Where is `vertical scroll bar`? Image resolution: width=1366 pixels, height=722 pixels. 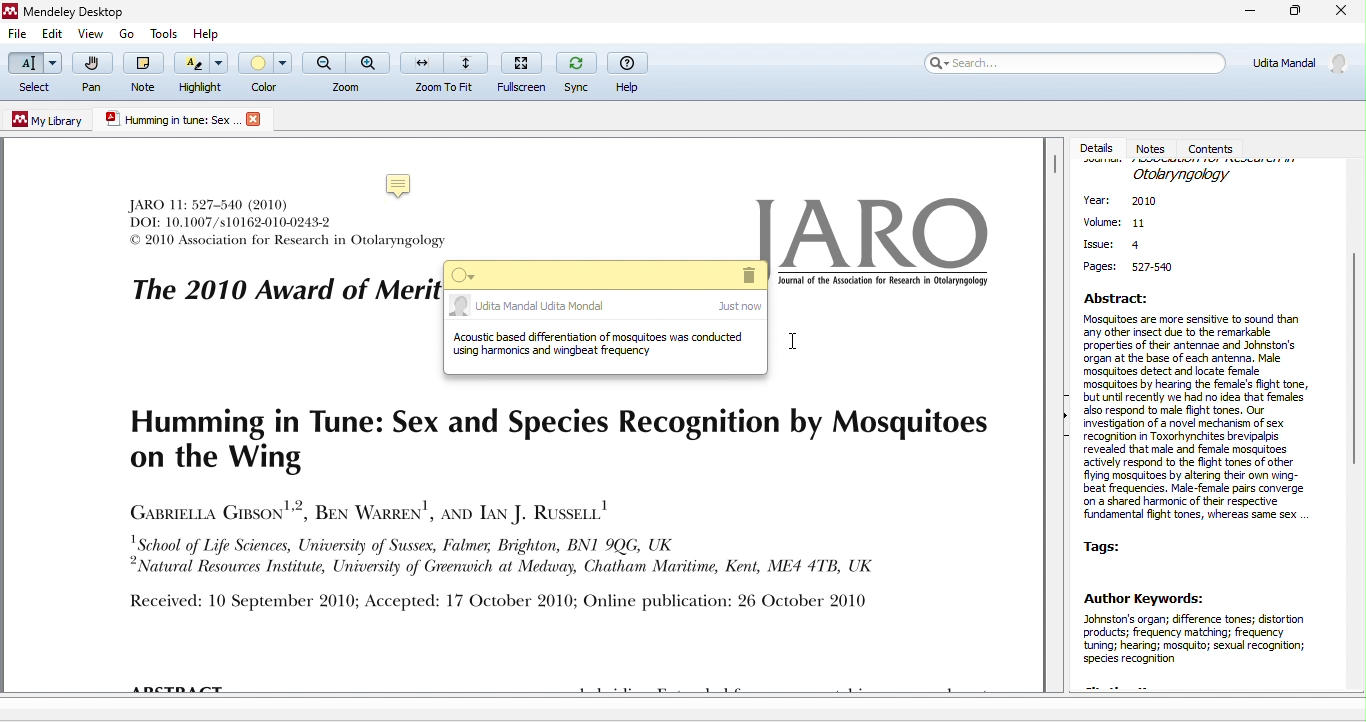
vertical scroll bar is located at coordinates (1054, 168).